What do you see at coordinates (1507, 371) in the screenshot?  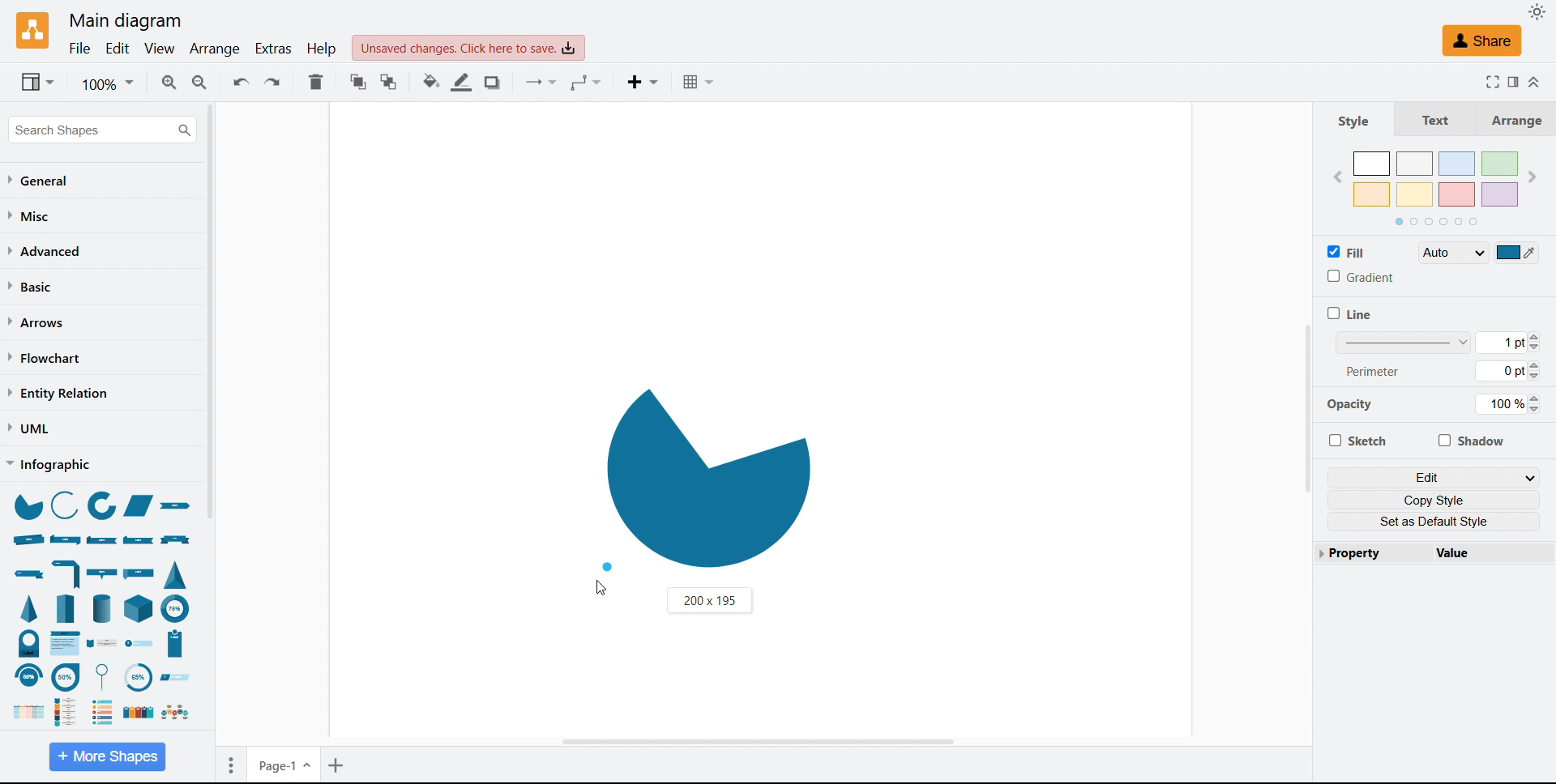 I see `Set line perimeter ` at bounding box center [1507, 371].